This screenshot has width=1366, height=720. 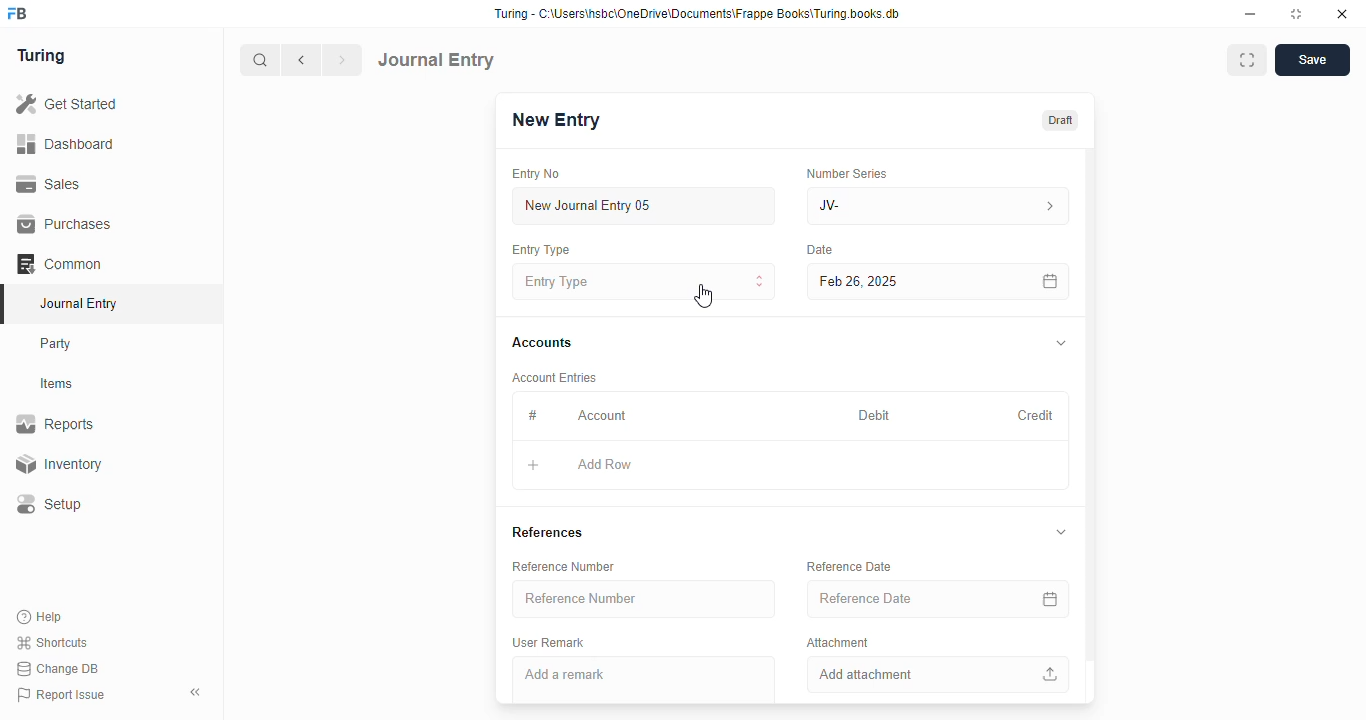 What do you see at coordinates (696, 14) in the screenshot?
I see `Turing - C:\Users\hsbc\OneDrive\Documents\Frappe Books\Turing books.db` at bounding box center [696, 14].